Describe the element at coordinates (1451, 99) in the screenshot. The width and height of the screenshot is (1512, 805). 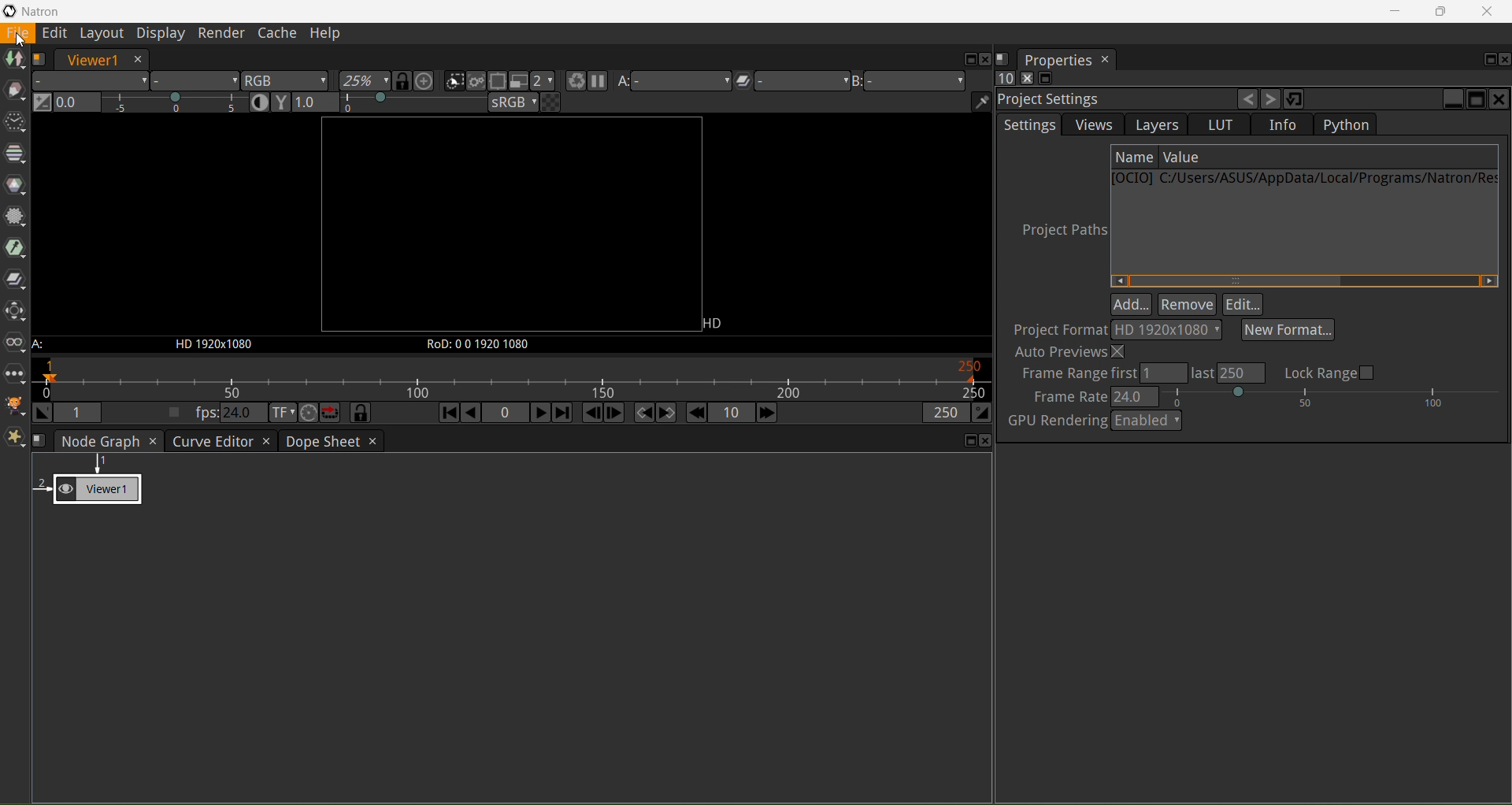
I see `Minimize` at that location.